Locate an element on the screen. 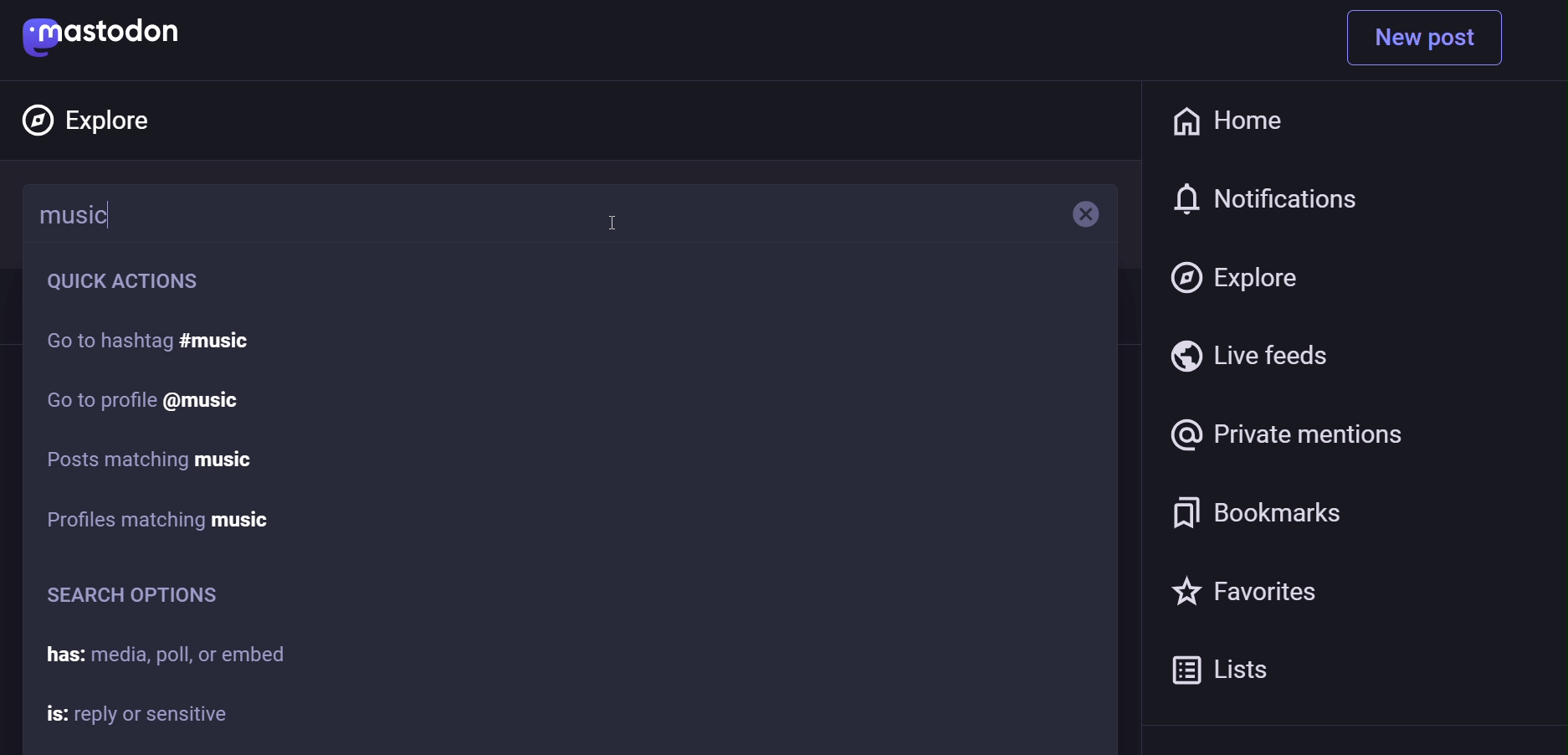  notification is located at coordinates (1266, 201).